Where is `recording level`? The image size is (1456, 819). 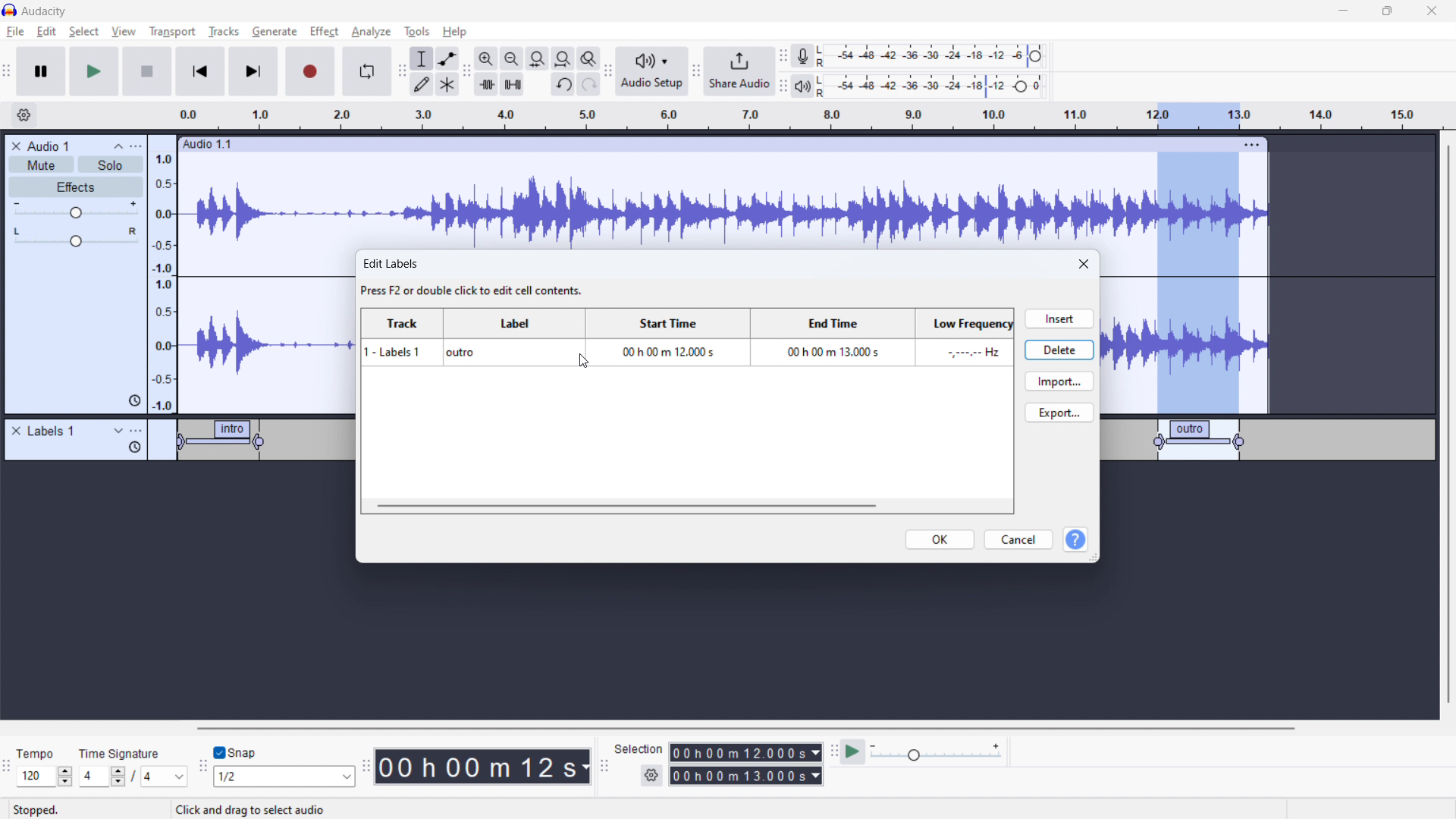 recording level is located at coordinates (940, 56).